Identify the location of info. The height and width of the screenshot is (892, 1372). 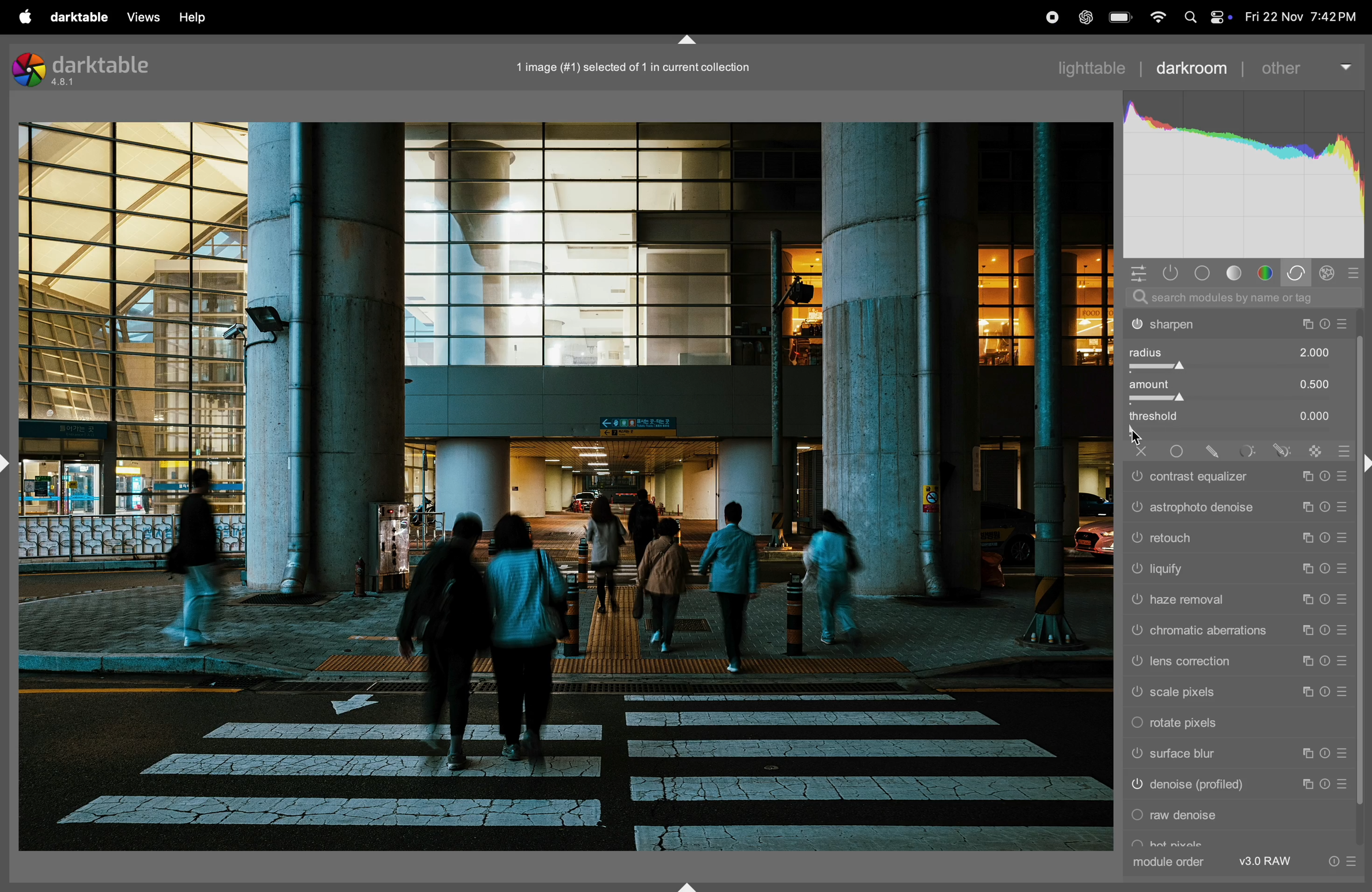
(1340, 861).